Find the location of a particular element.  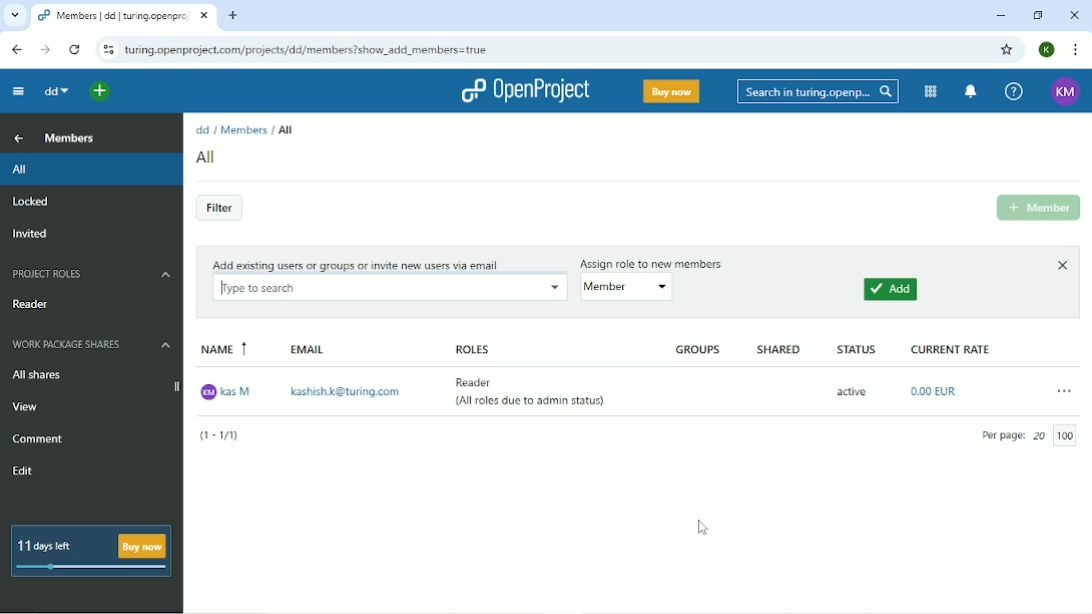

Search  is located at coordinates (814, 92).